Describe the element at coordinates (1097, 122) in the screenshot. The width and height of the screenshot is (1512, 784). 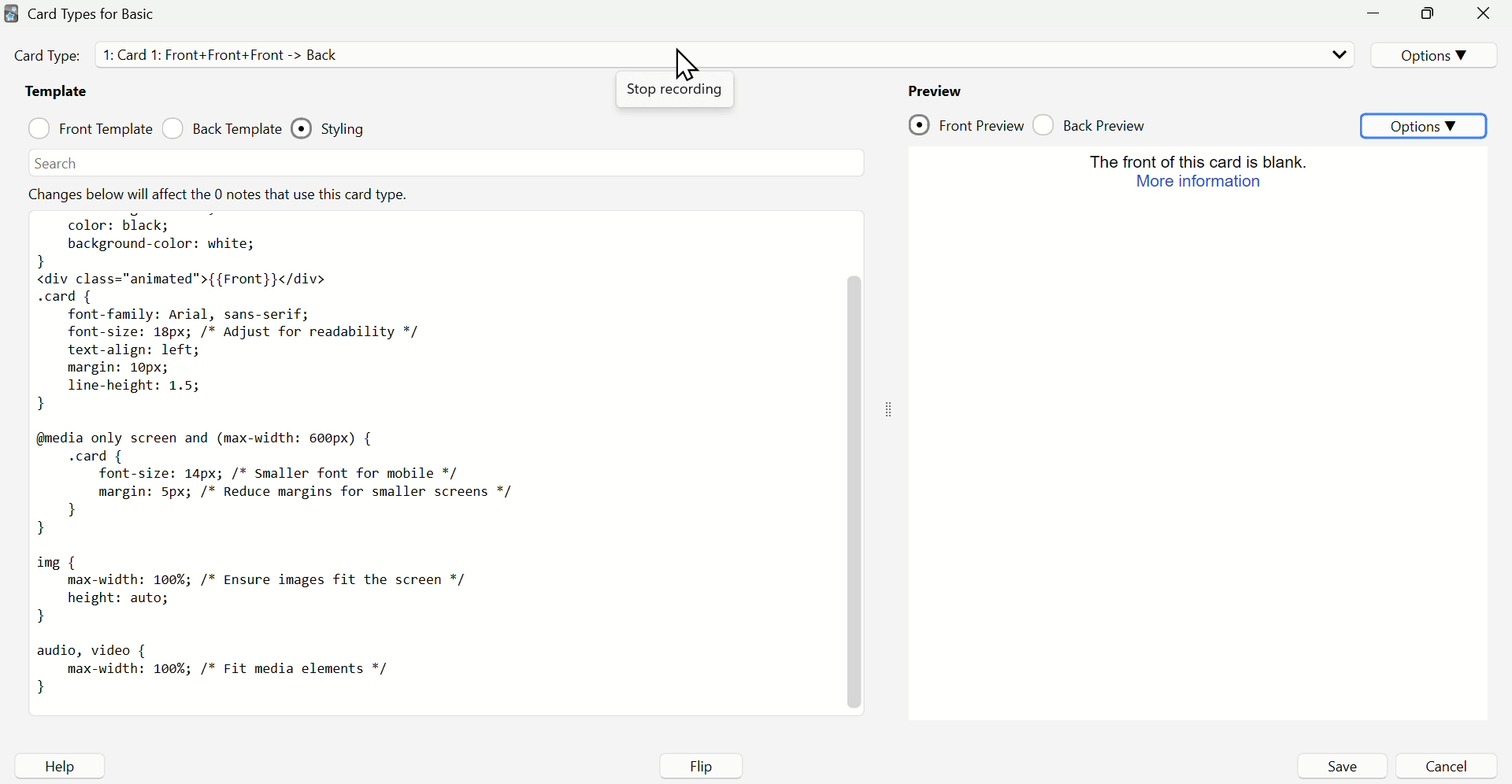
I see `Back Preview` at that location.